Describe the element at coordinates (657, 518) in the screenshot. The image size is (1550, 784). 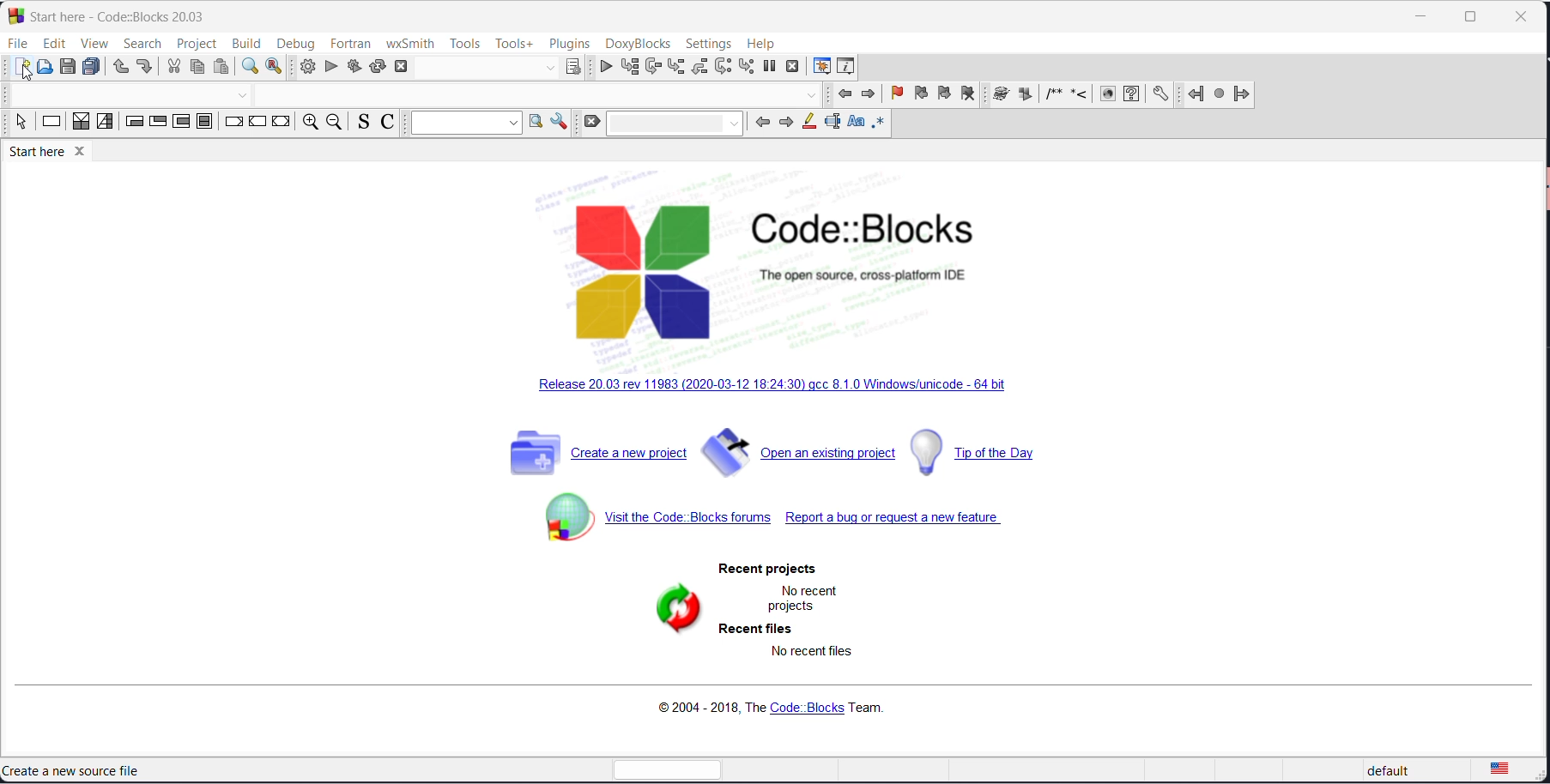
I see `Visit the Code: Blocks forums` at that location.